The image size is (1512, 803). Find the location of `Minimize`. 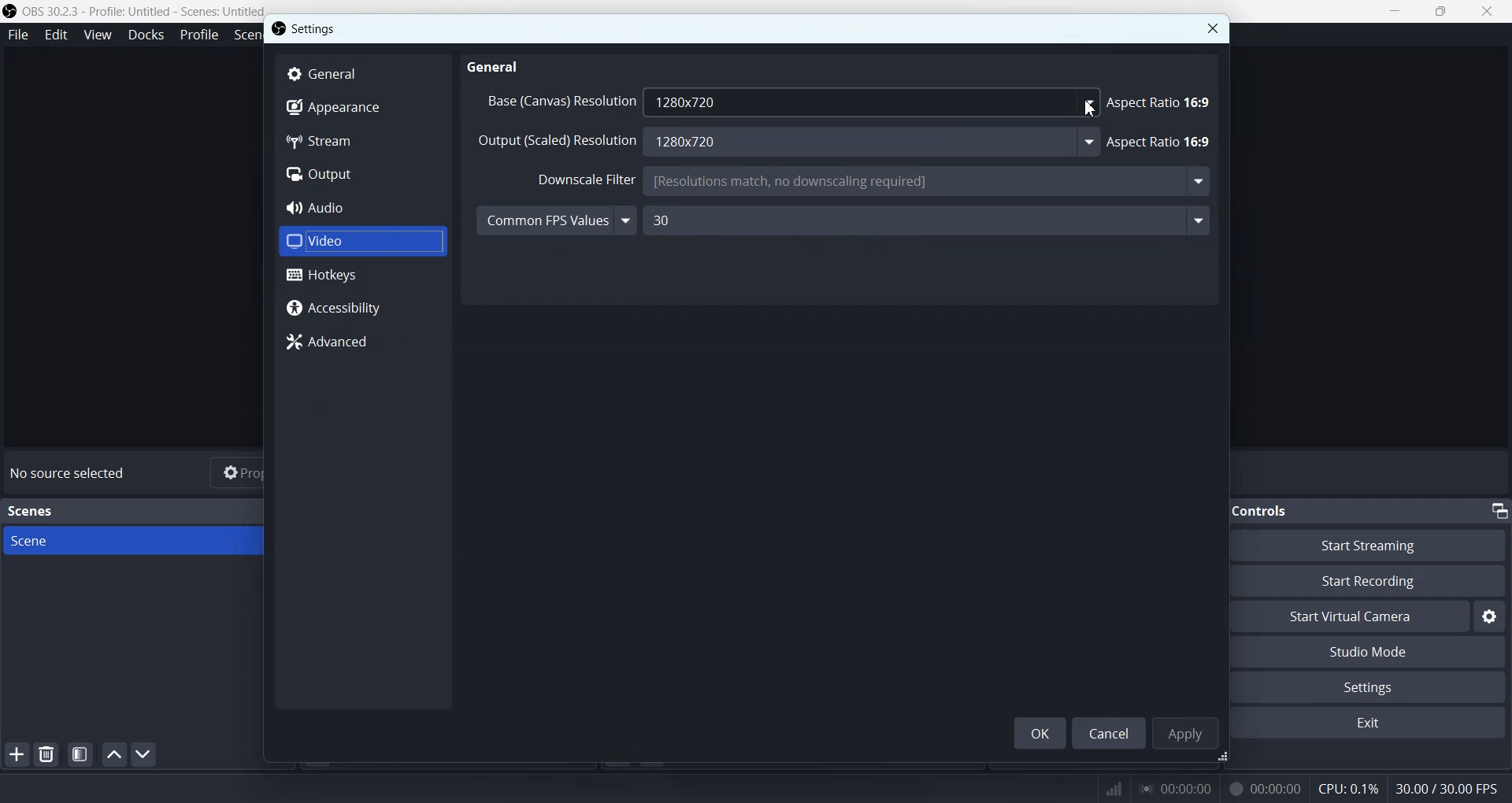

Minimize is located at coordinates (1395, 10).